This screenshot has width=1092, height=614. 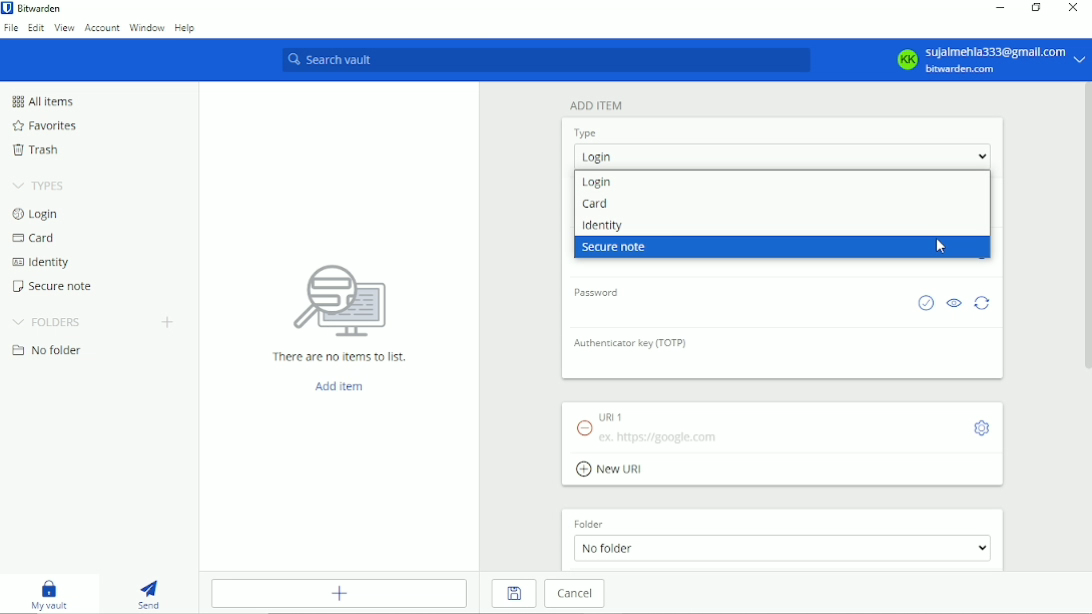 I want to click on Cursor, so click(x=938, y=247).